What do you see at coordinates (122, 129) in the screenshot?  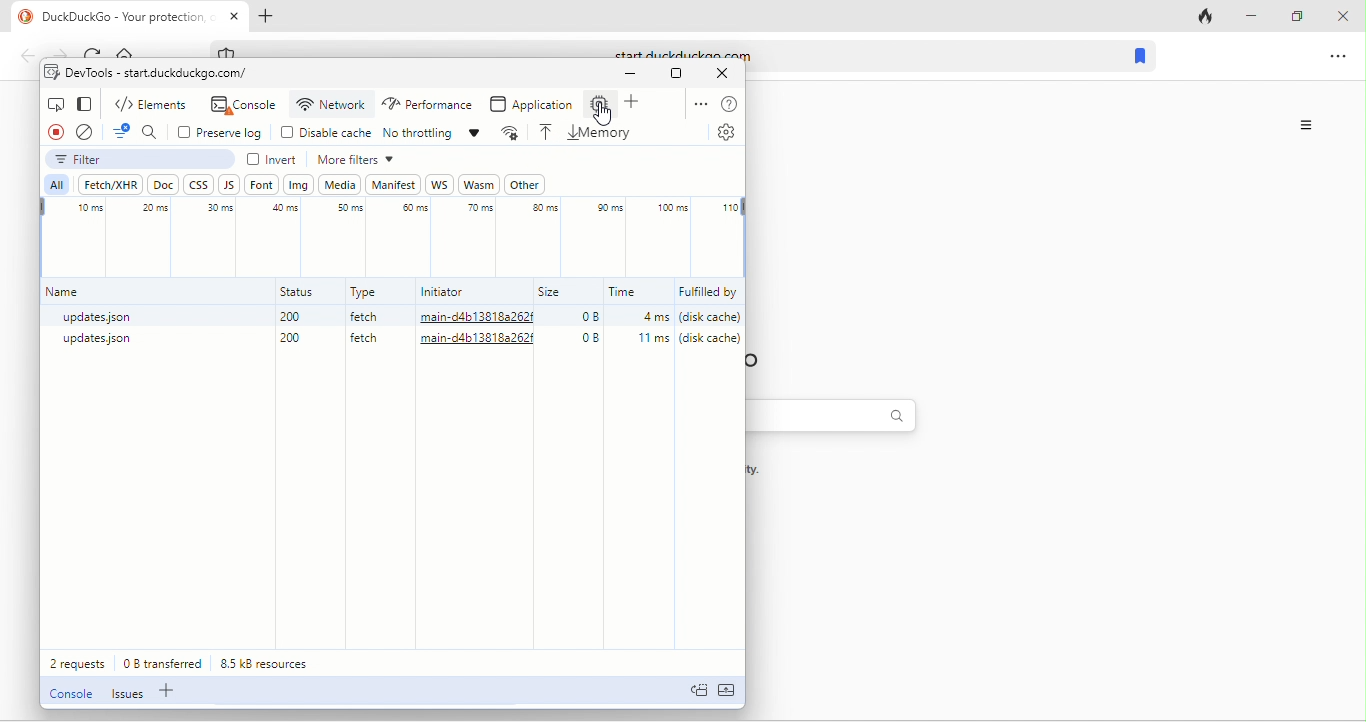 I see `filter` at bounding box center [122, 129].